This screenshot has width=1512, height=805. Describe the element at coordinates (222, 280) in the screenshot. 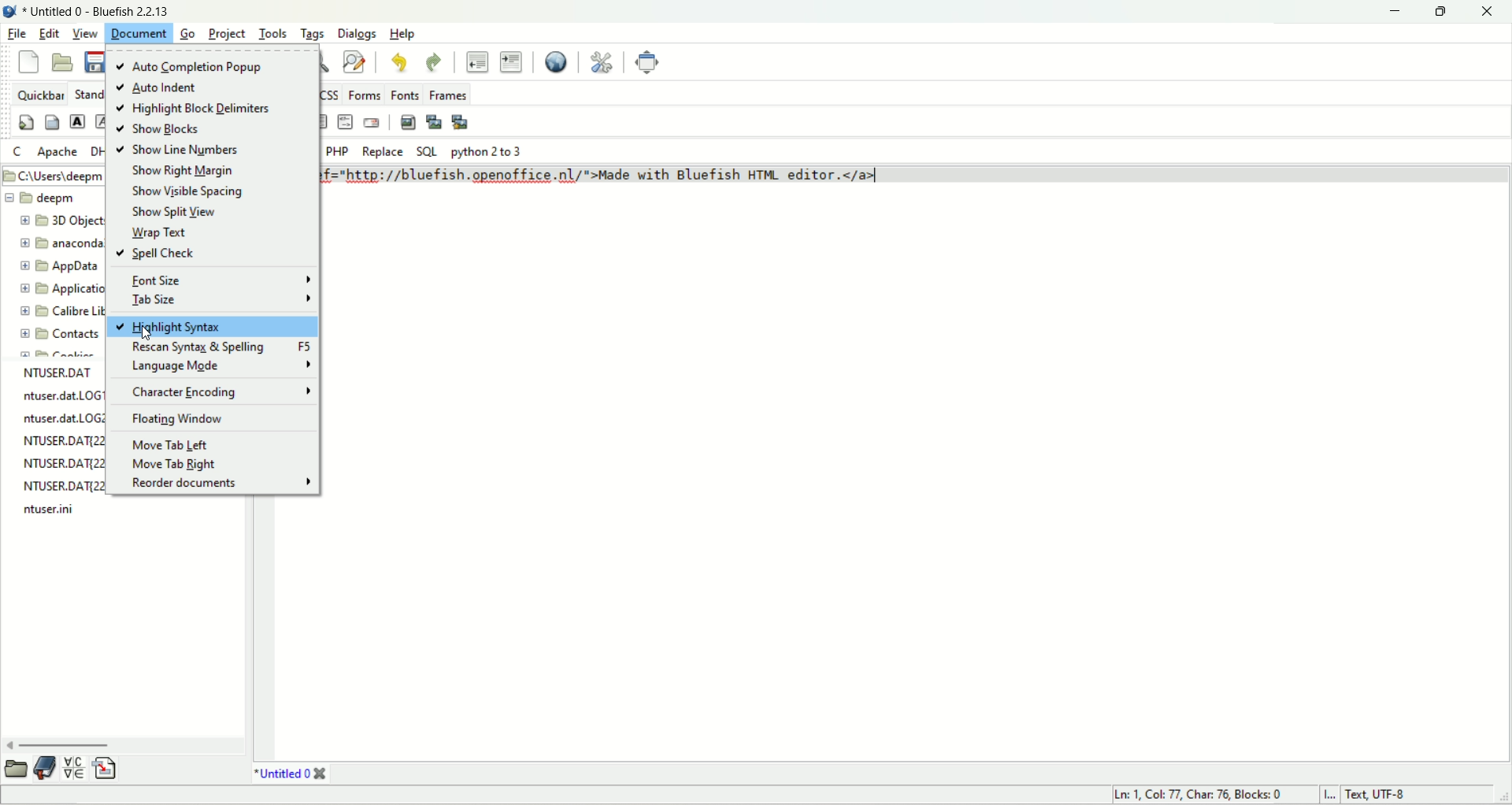

I see `font size` at that location.